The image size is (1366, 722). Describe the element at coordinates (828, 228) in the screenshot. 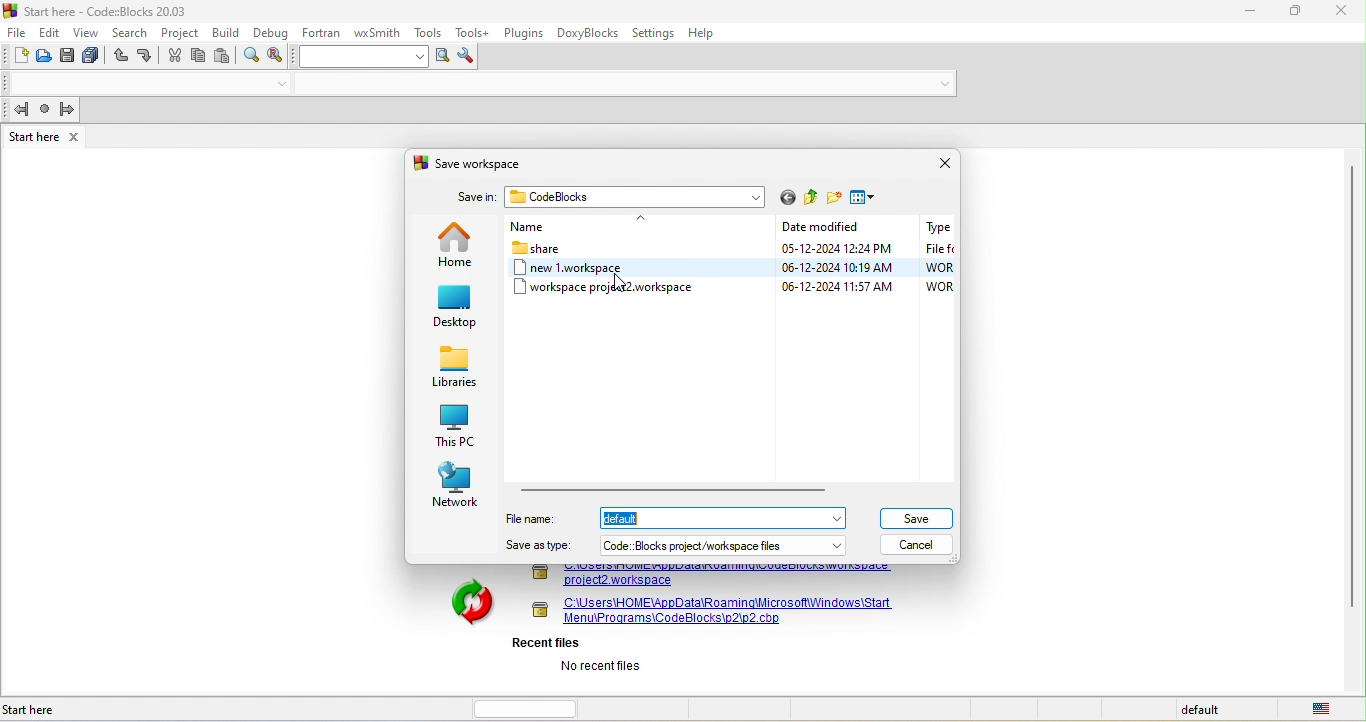

I see `Date modified` at that location.